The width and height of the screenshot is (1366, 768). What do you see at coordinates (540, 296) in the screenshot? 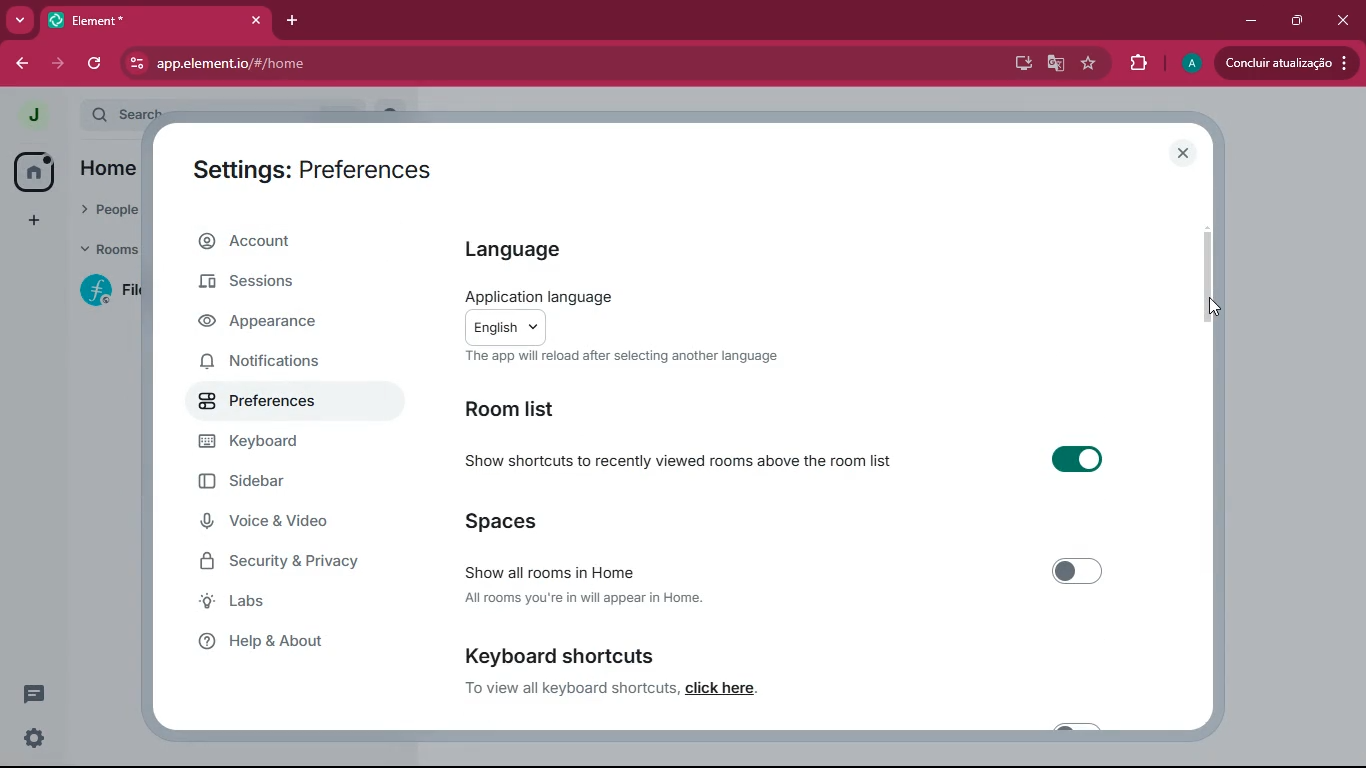
I see `application language` at bounding box center [540, 296].